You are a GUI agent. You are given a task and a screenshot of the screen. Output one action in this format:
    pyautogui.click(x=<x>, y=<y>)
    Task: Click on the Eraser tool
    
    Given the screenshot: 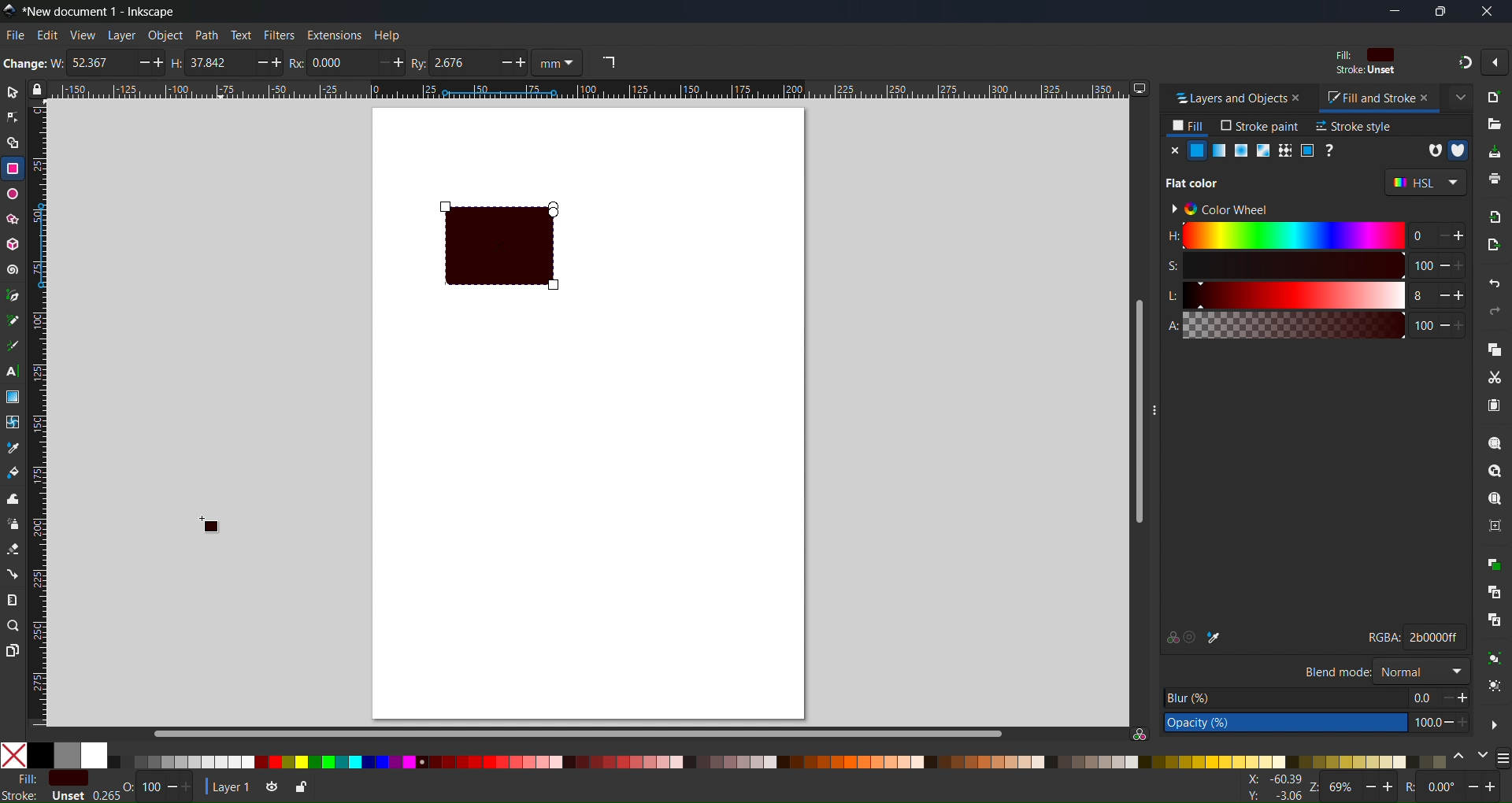 What is the action you would take?
    pyautogui.click(x=13, y=549)
    